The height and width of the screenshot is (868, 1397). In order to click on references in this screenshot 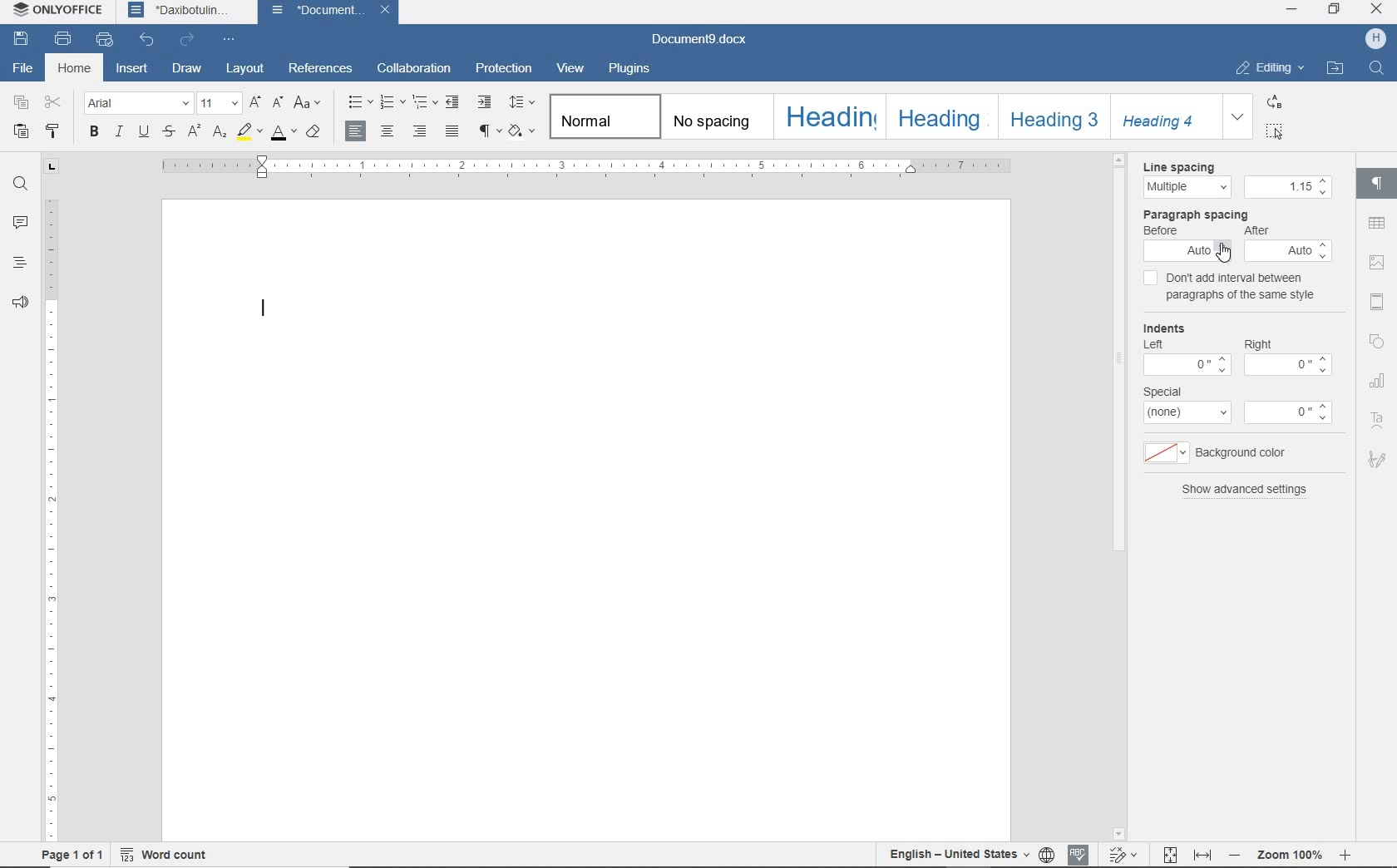, I will do `click(323, 72)`.